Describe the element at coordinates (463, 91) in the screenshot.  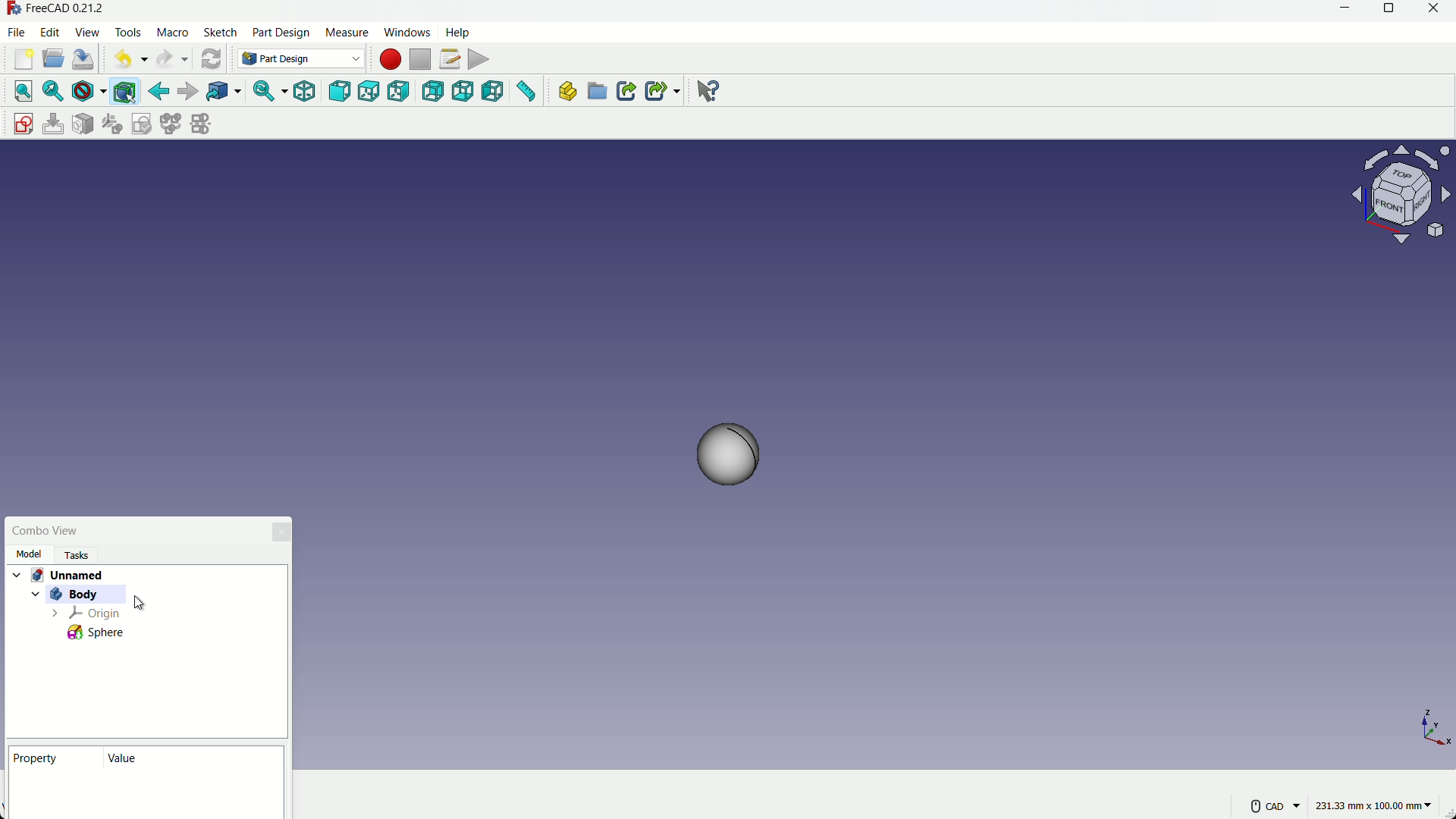
I see `bottom view` at that location.